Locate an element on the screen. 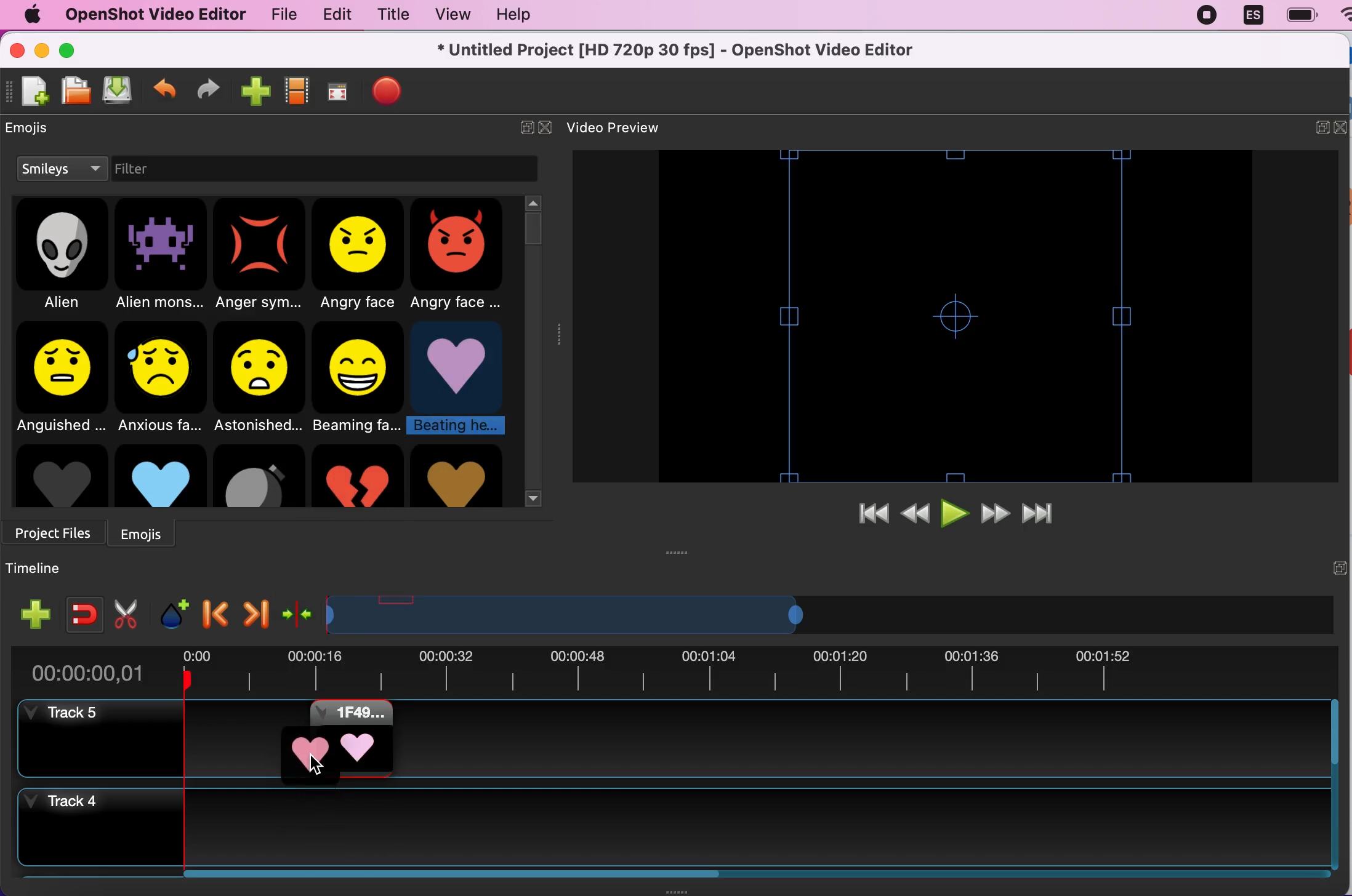  beating heart is located at coordinates (461, 379).